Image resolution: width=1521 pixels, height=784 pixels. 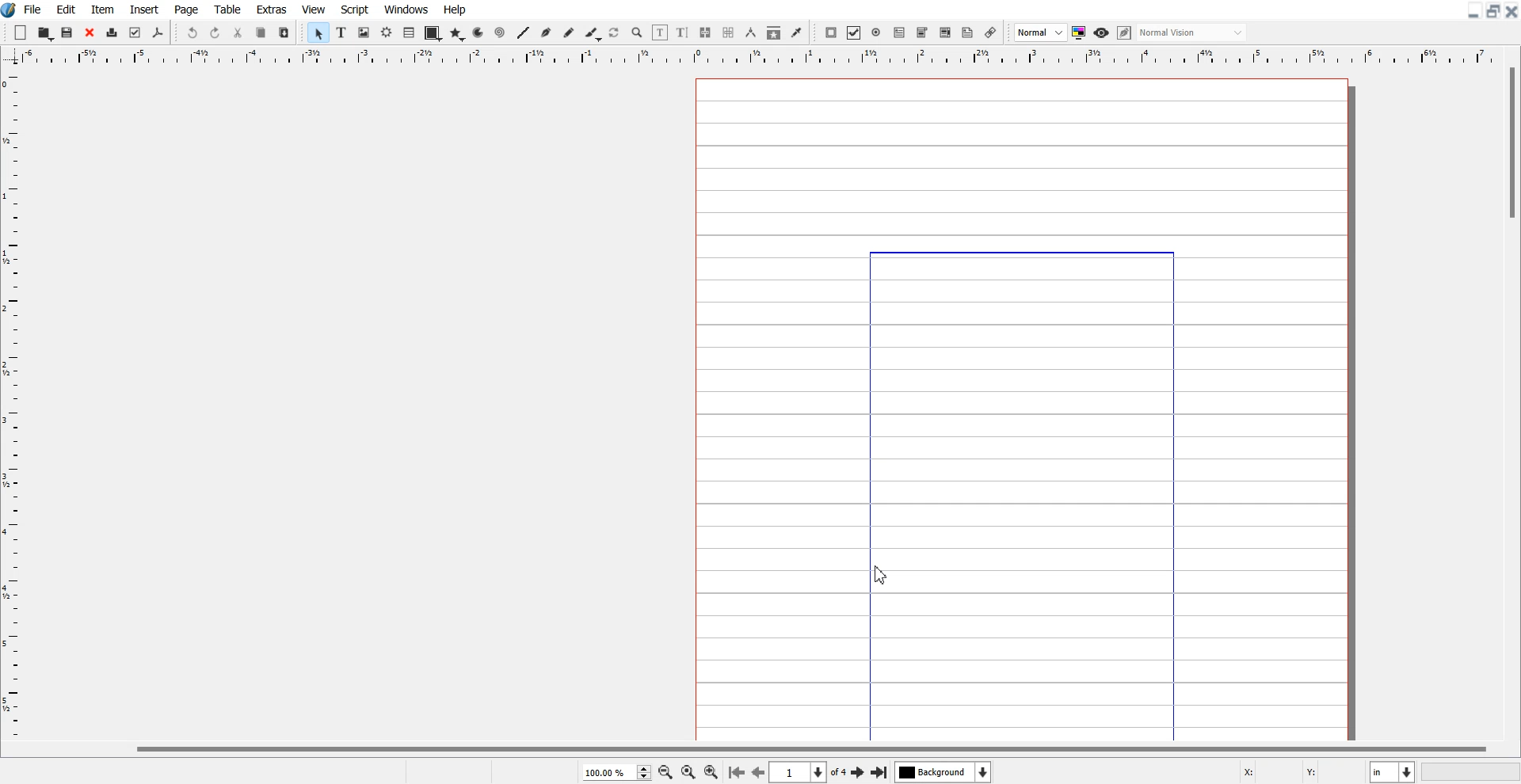 I want to click on Insert, so click(x=146, y=10).